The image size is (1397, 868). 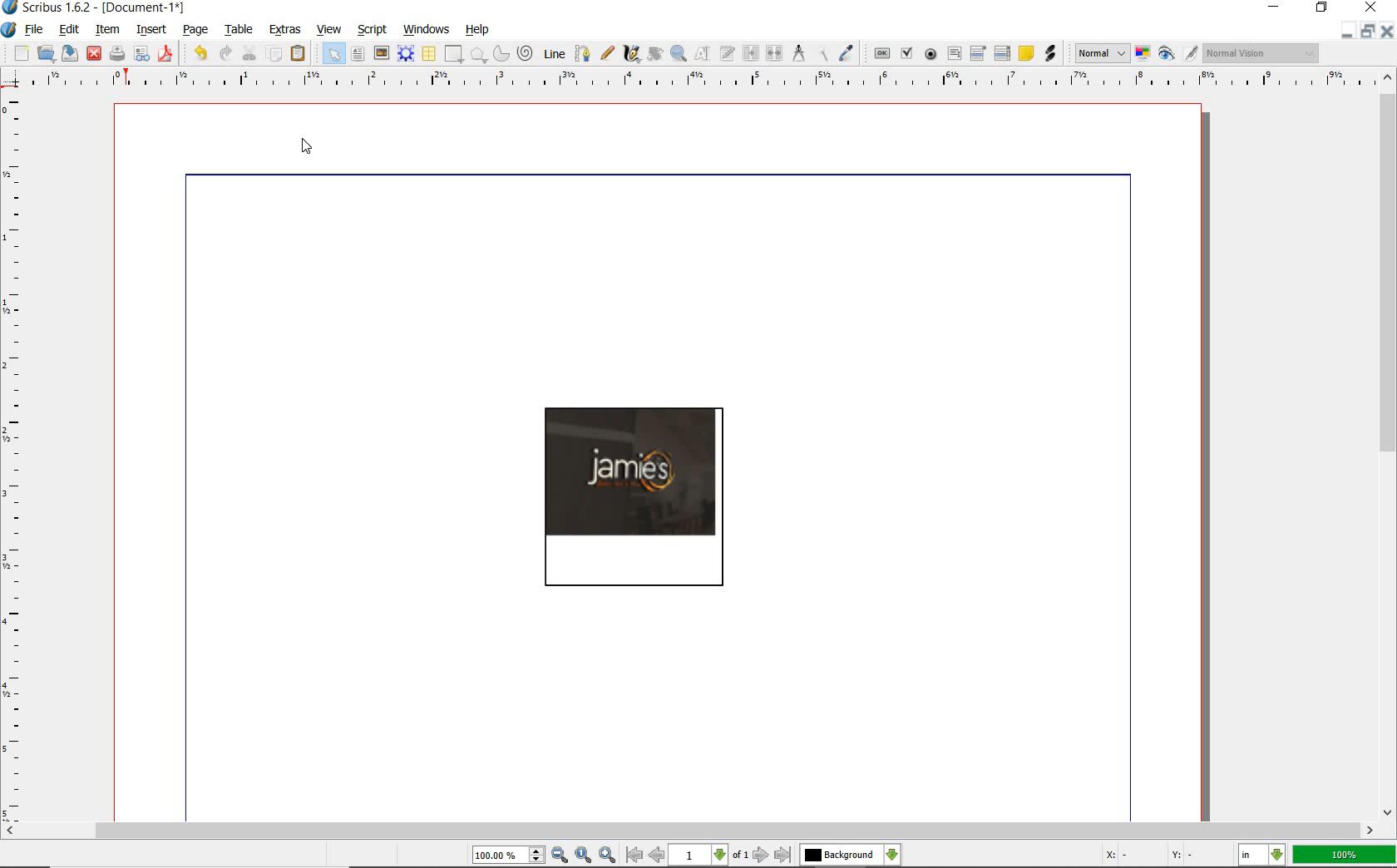 I want to click on Zoom In, so click(x=608, y=856).